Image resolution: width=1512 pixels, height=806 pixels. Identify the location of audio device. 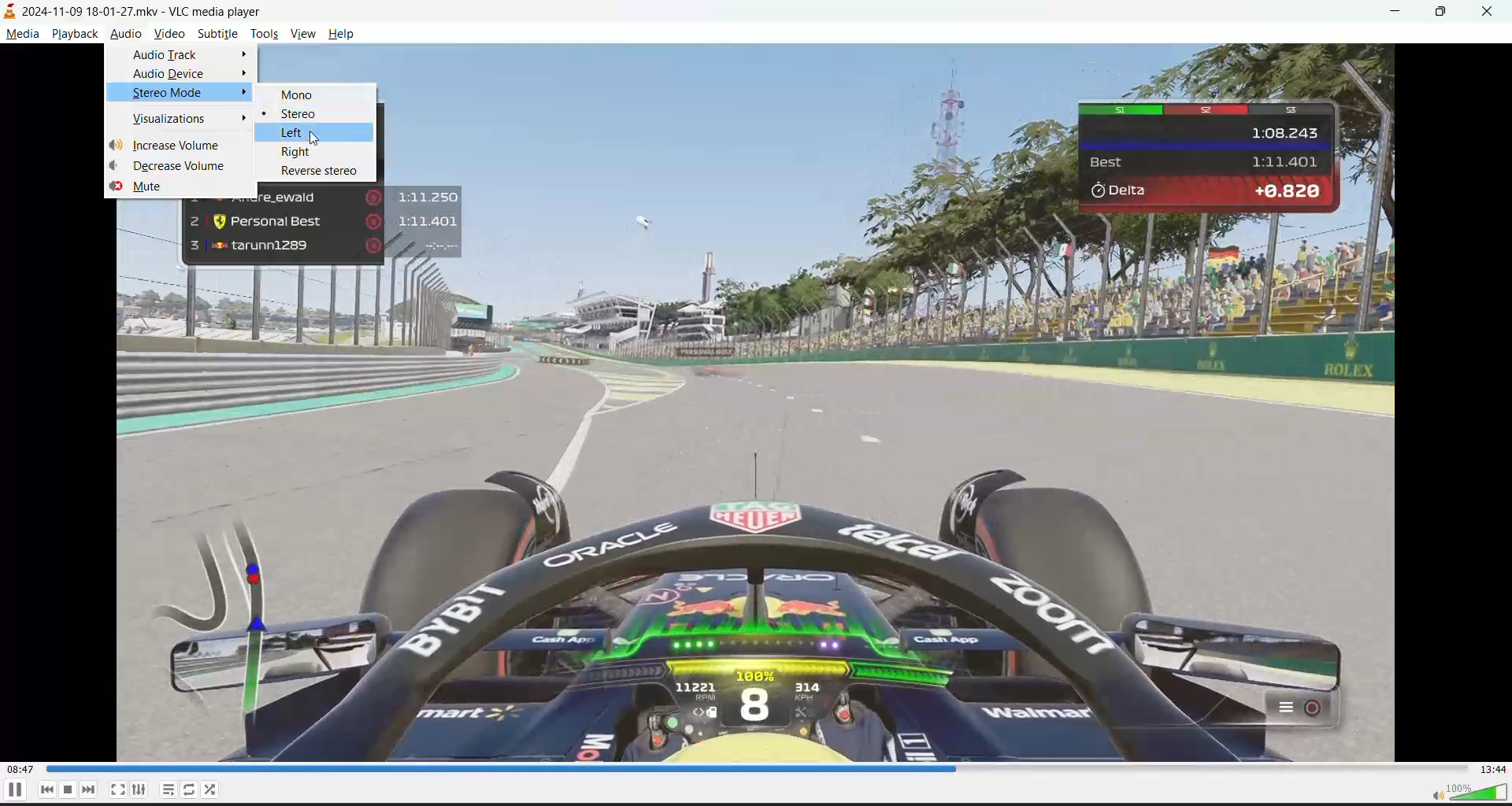
(169, 73).